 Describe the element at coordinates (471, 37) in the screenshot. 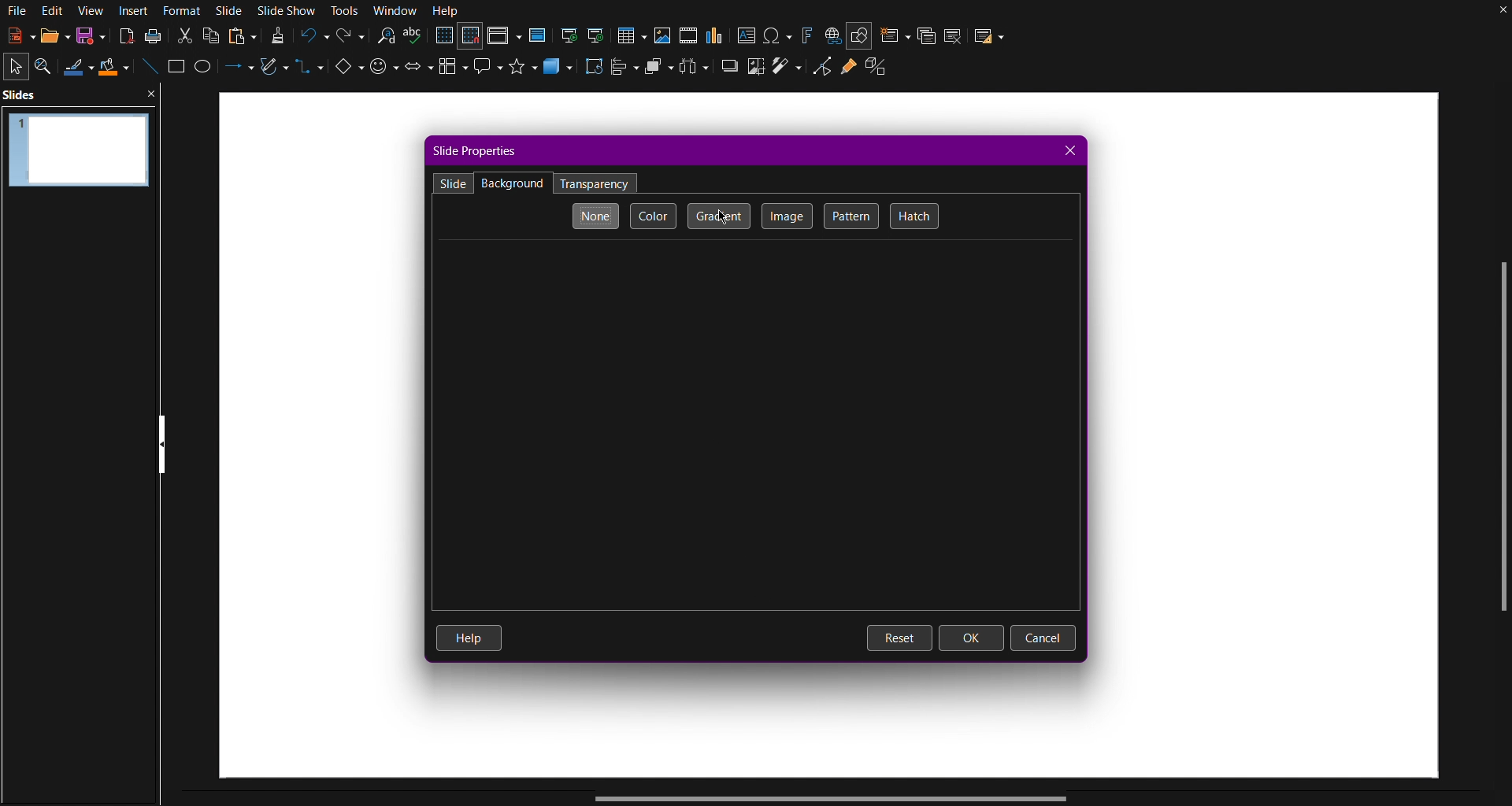

I see `Snap to Grid` at that location.